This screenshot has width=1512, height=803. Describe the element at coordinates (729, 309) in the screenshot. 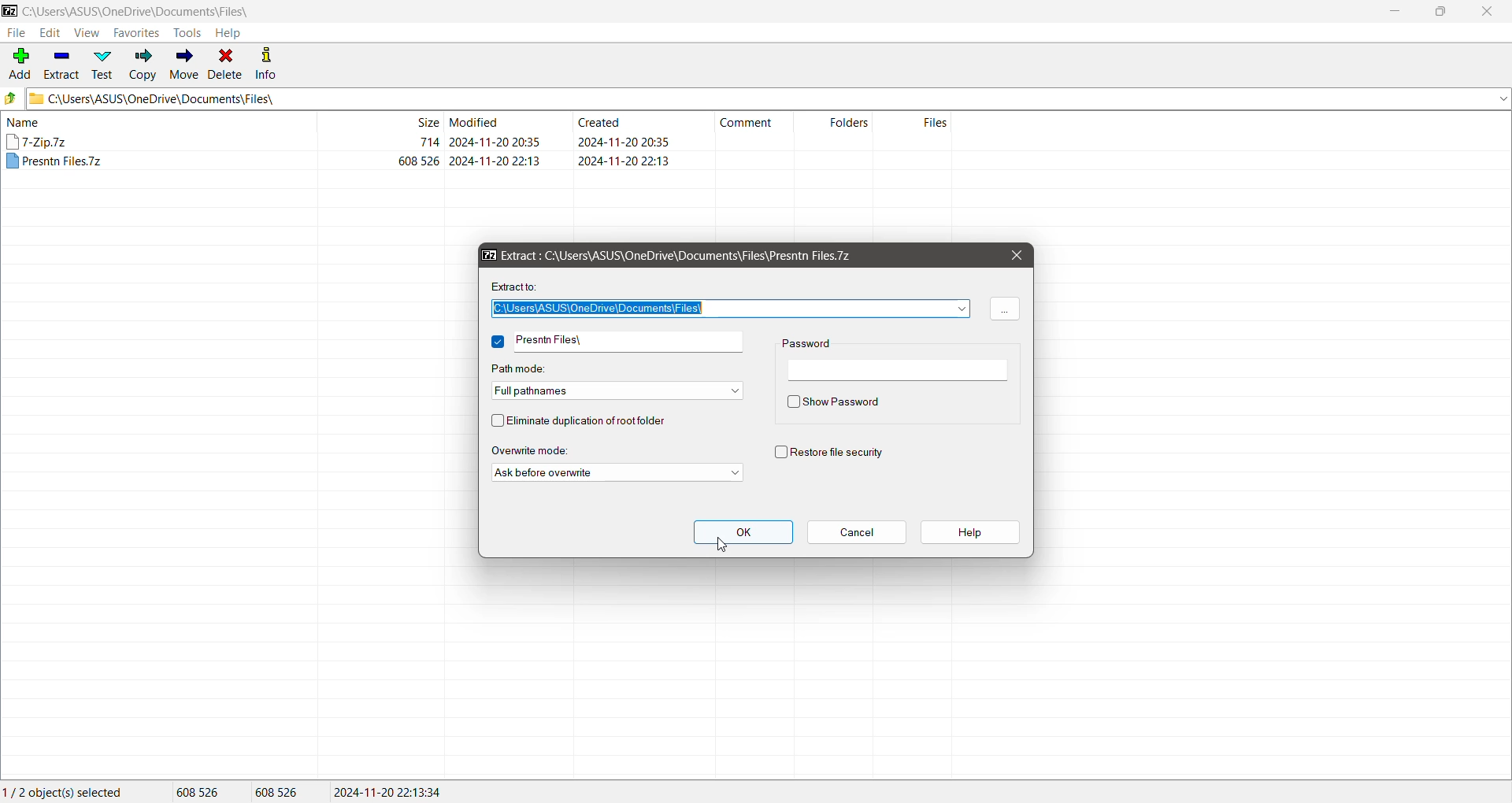

I see `Set the path to extract the files from the archive` at that location.